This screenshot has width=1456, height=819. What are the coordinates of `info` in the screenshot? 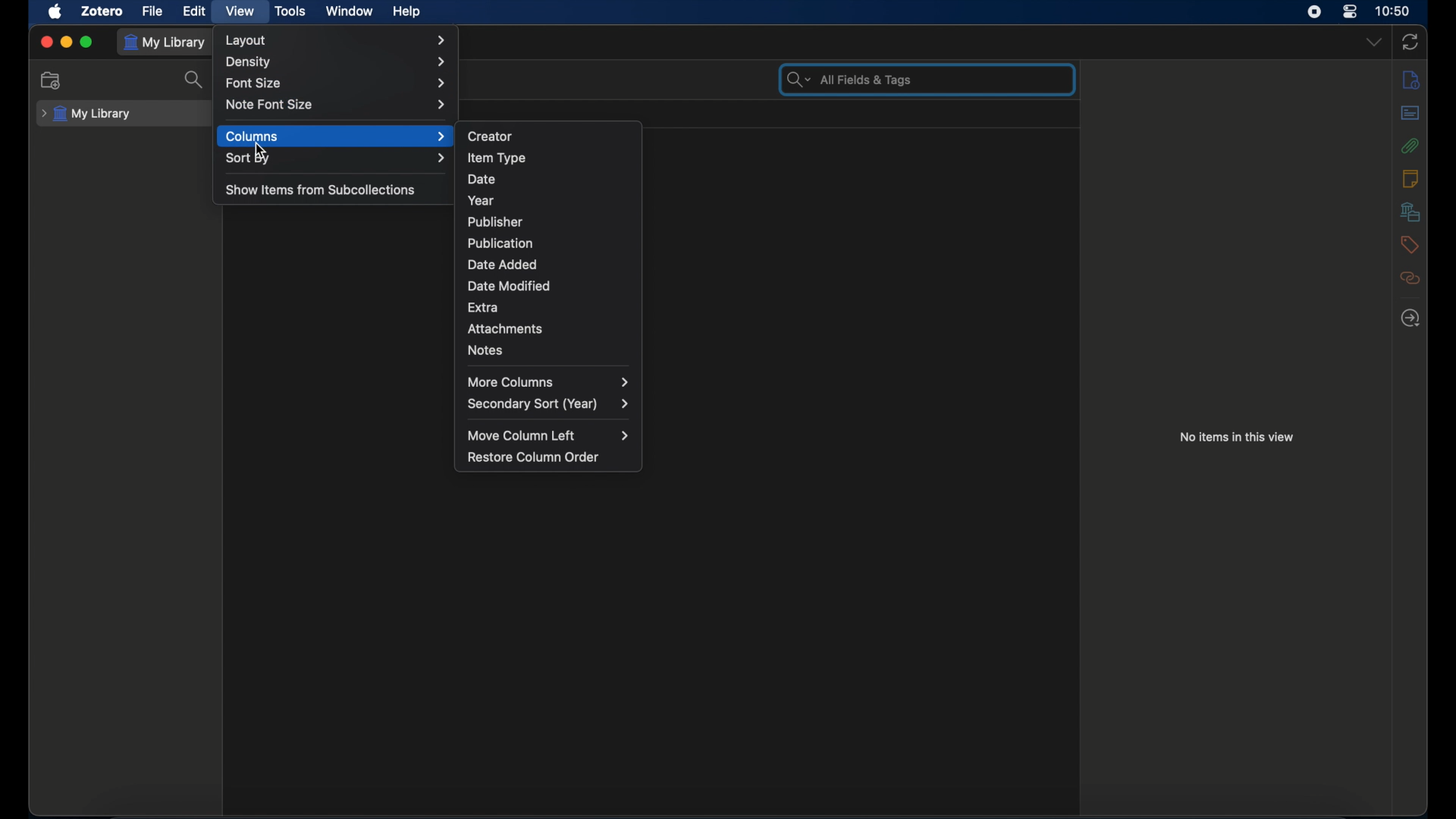 It's located at (1410, 80).